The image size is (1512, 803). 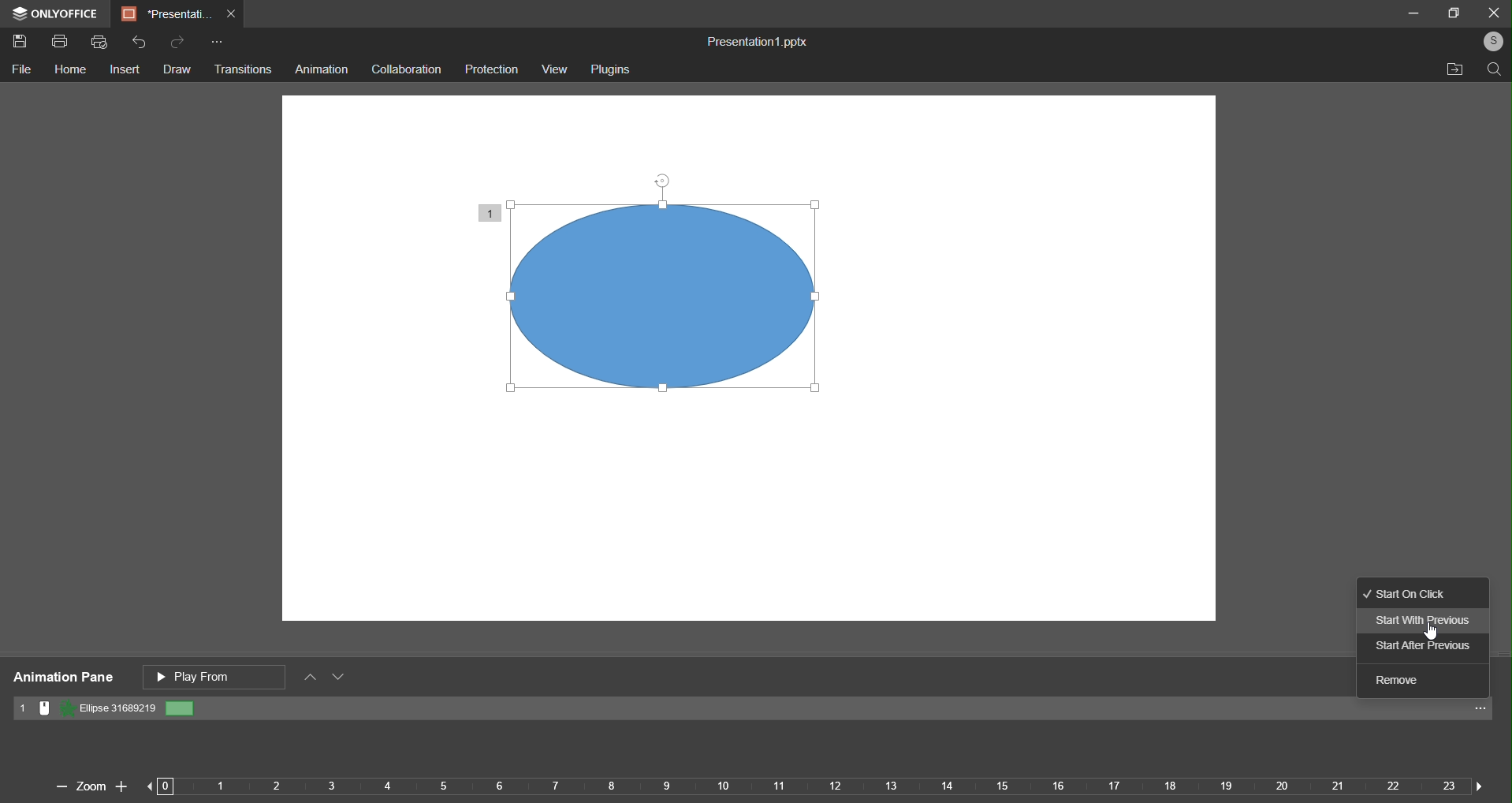 I want to click on transitions, so click(x=243, y=70).